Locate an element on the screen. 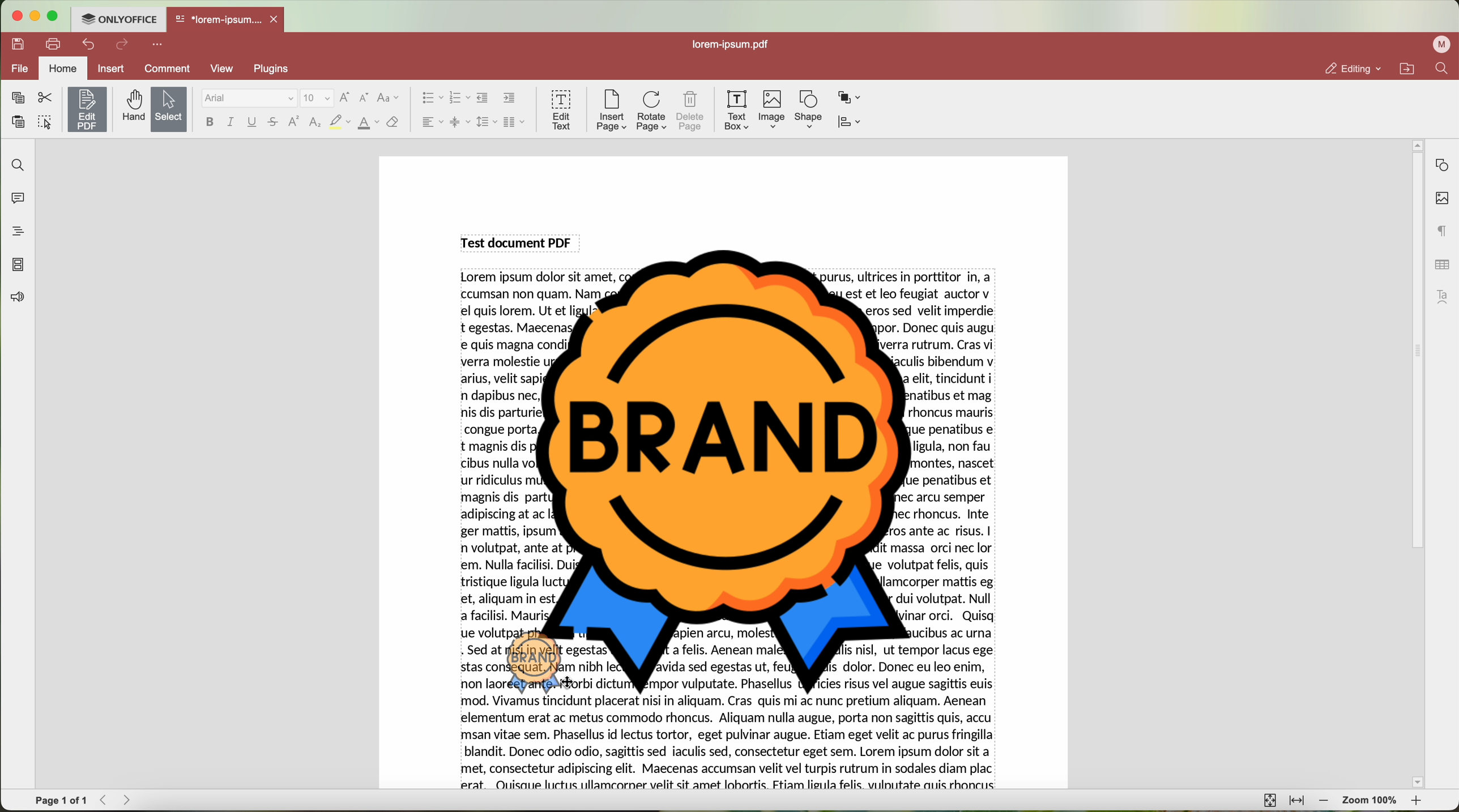 Image resolution: width=1459 pixels, height=812 pixels. find is located at coordinates (1441, 68).